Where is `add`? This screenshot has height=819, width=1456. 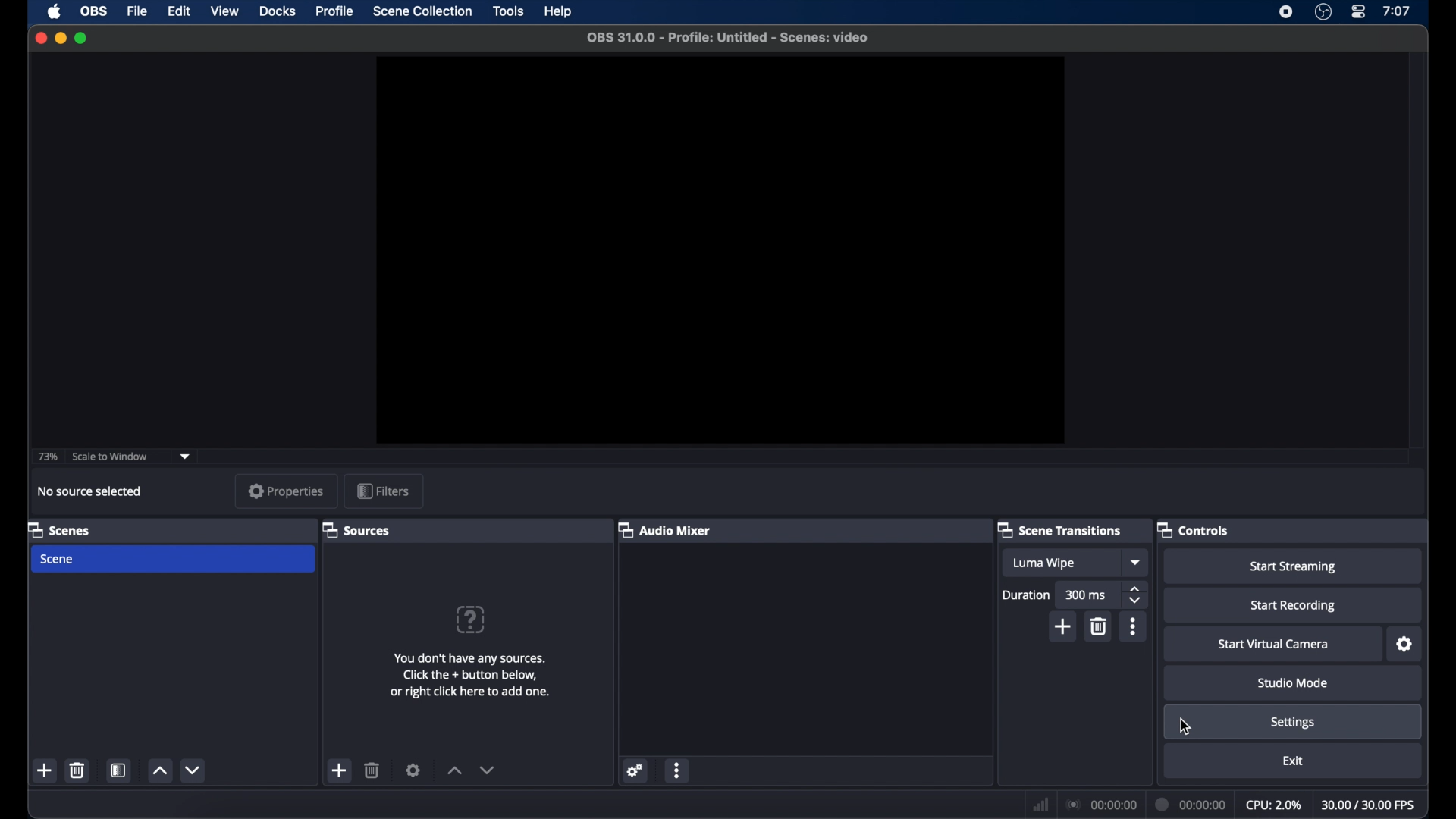
add is located at coordinates (45, 771).